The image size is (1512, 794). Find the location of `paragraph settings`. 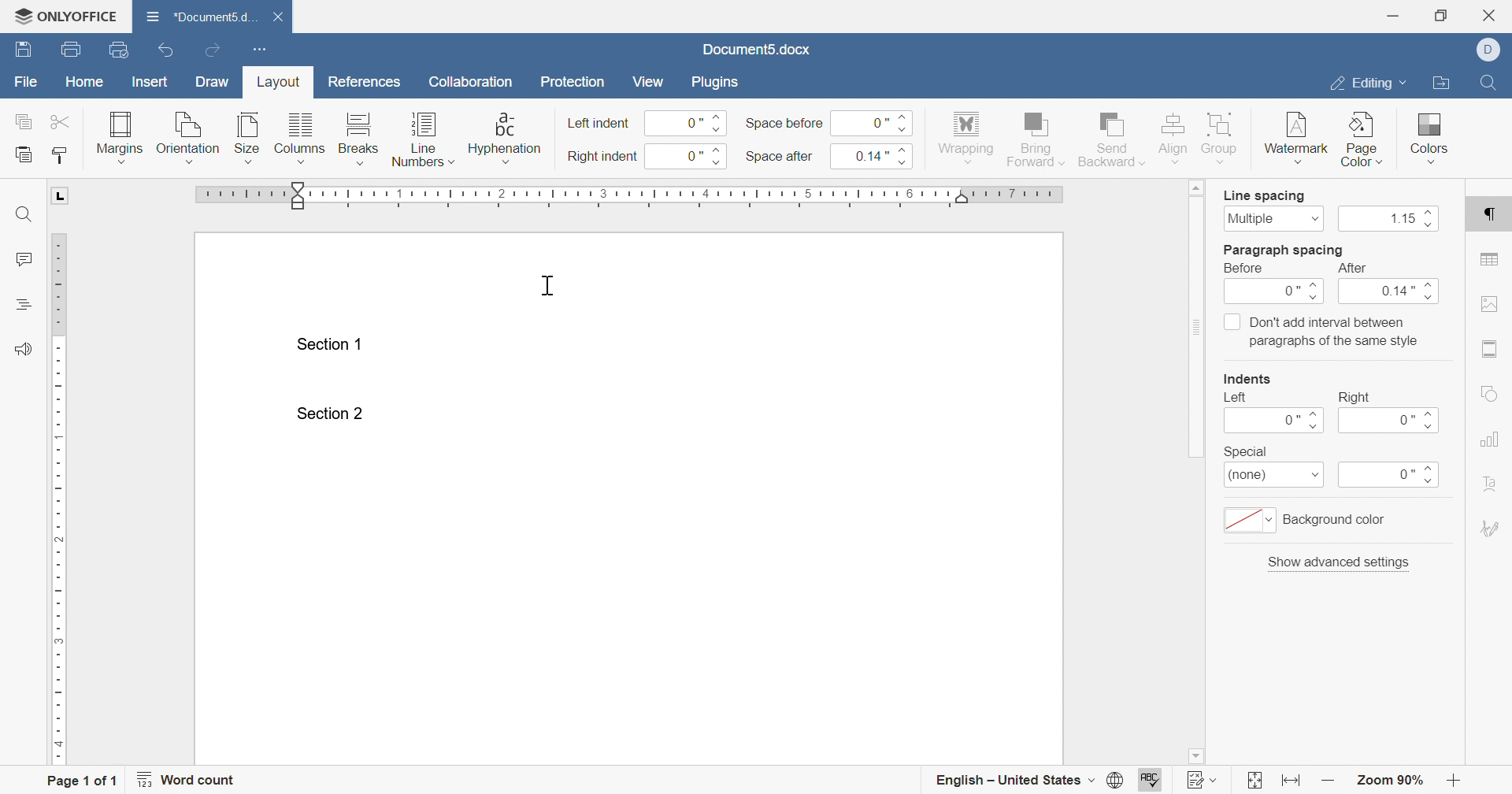

paragraph settings is located at coordinates (1491, 217).